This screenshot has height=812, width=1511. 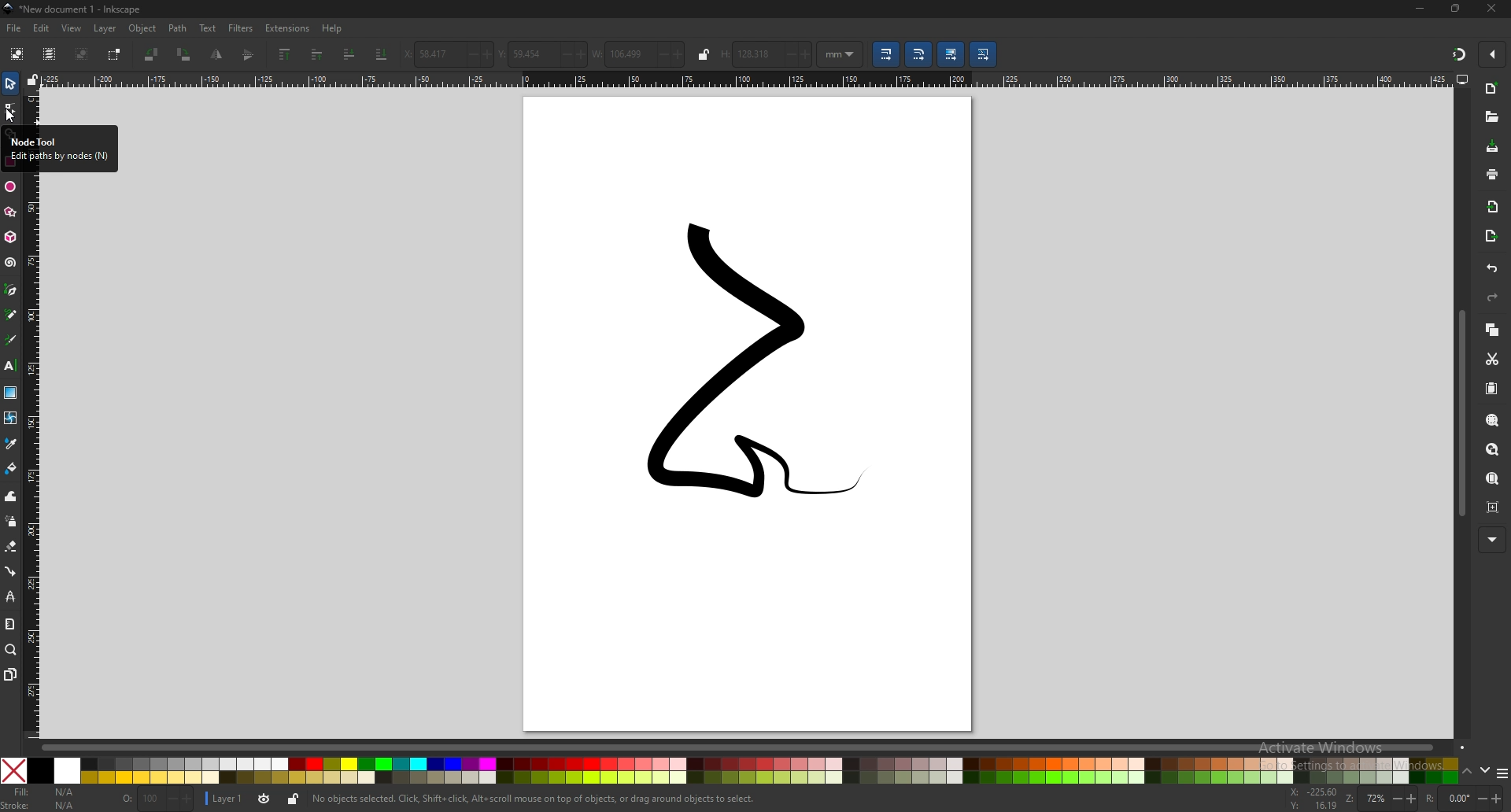 What do you see at coordinates (11, 366) in the screenshot?
I see `text` at bounding box center [11, 366].